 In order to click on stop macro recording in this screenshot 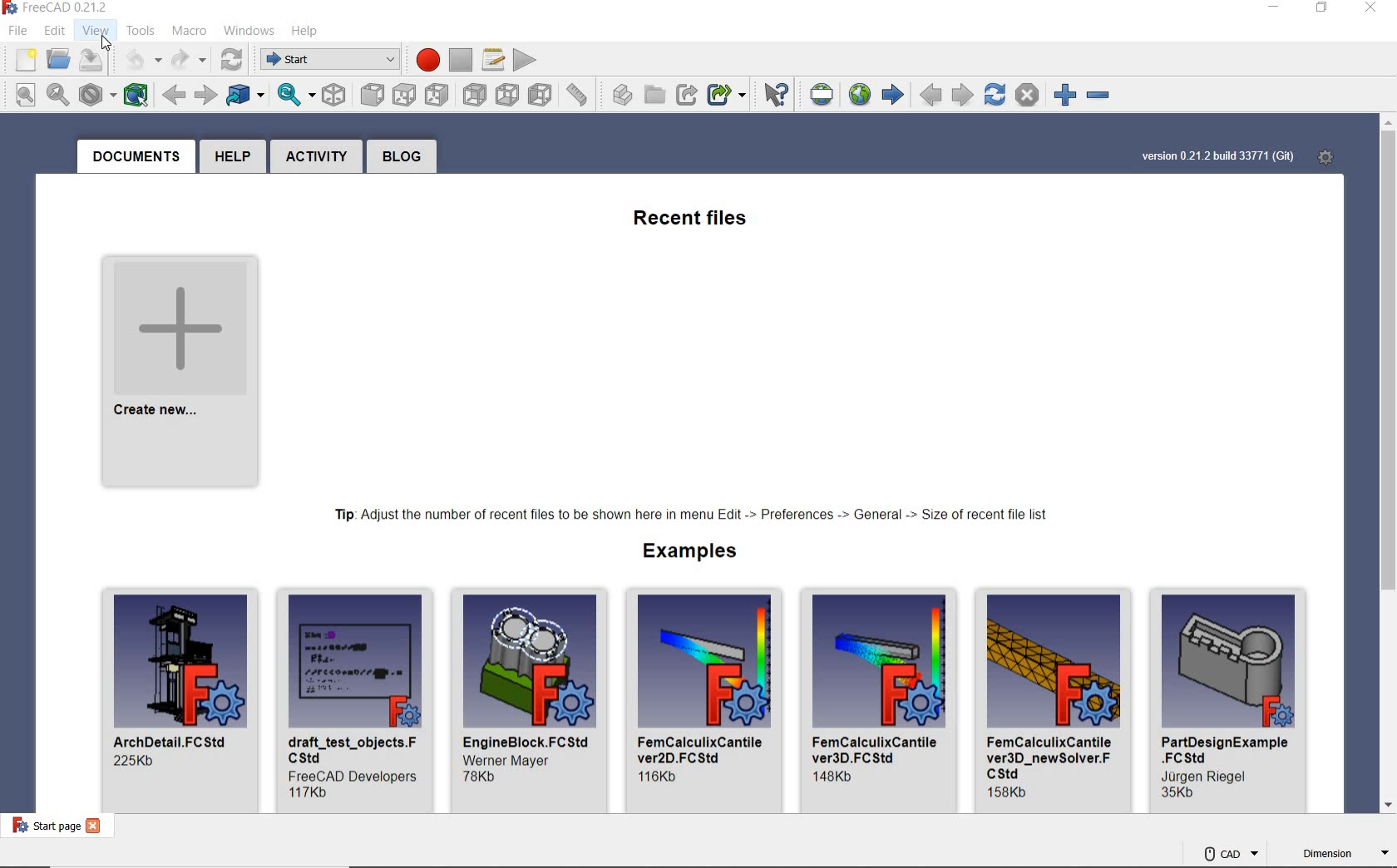, I will do `click(461, 60)`.